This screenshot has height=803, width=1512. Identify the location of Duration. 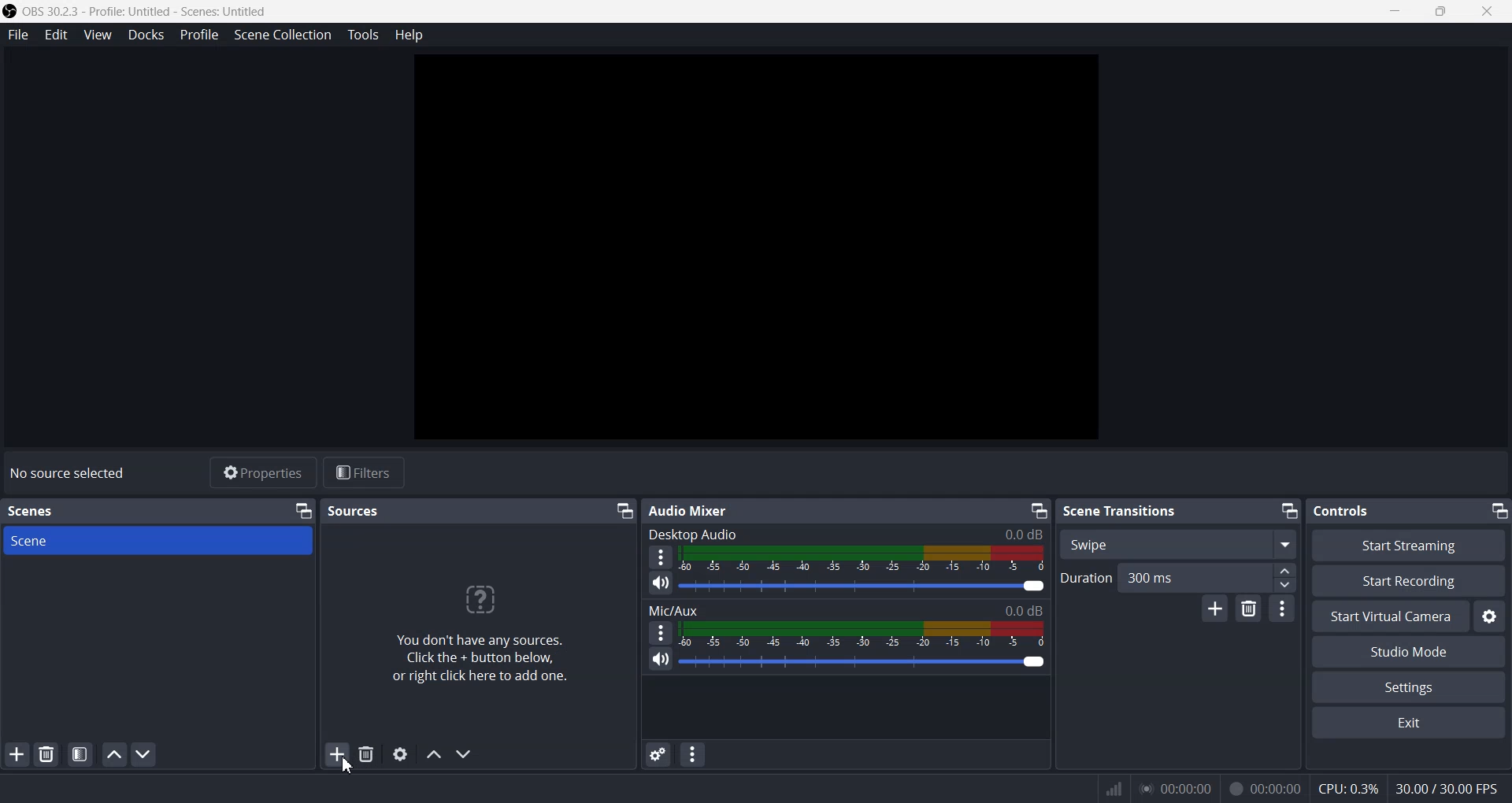
(1087, 576).